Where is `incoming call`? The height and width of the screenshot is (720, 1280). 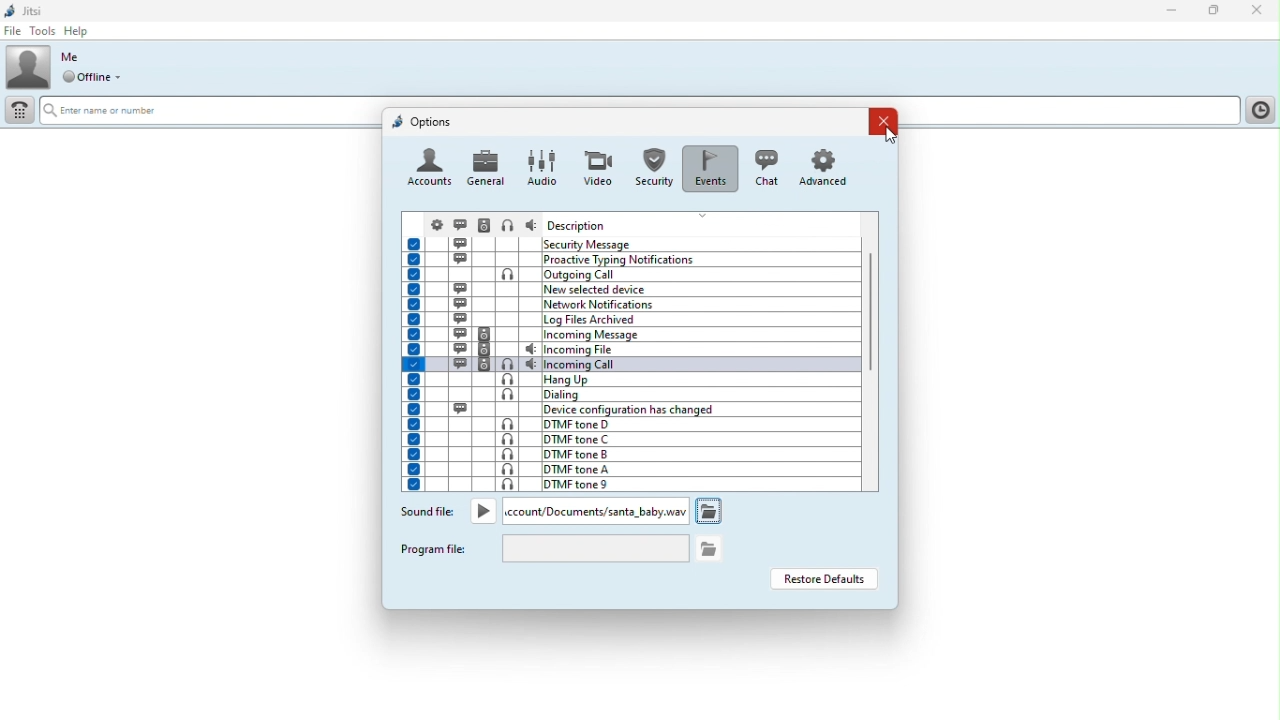 incoming call is located at coordinates (629, 364).